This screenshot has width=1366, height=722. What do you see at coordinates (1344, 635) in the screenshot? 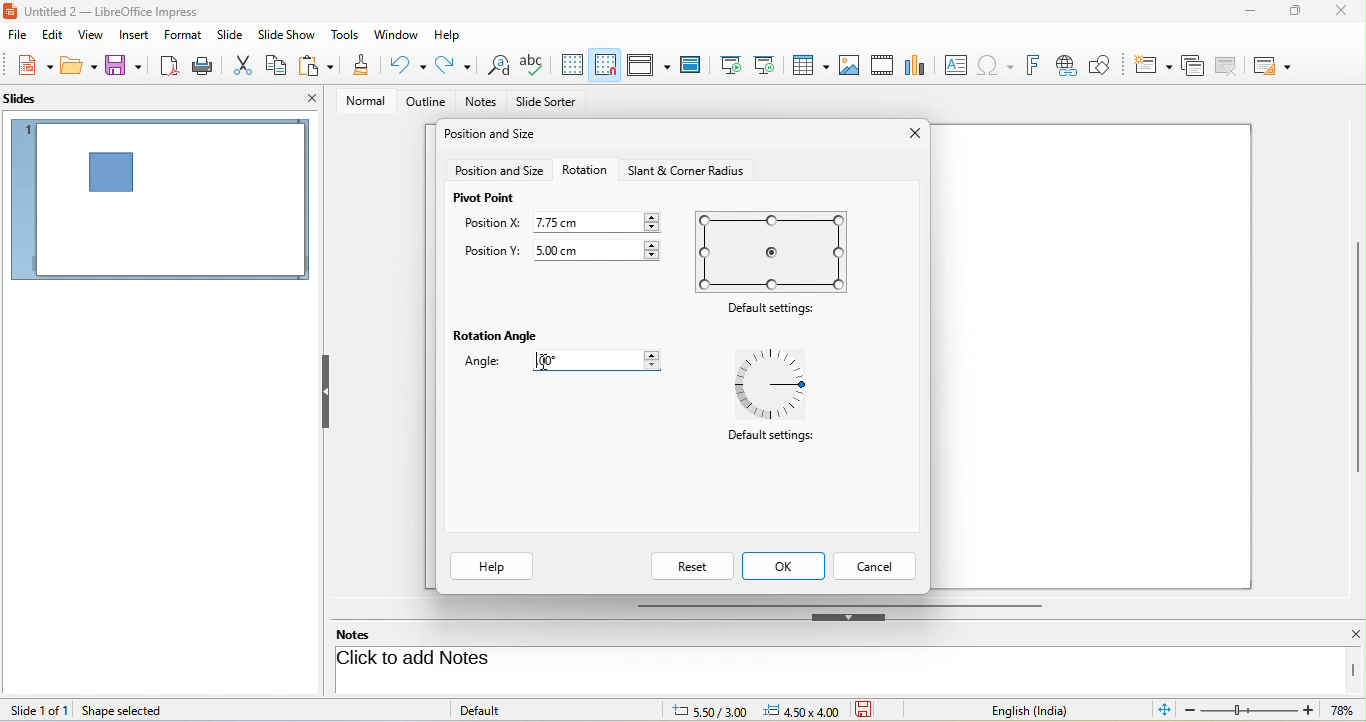
I see `close` at bounding box center [1344, 635].